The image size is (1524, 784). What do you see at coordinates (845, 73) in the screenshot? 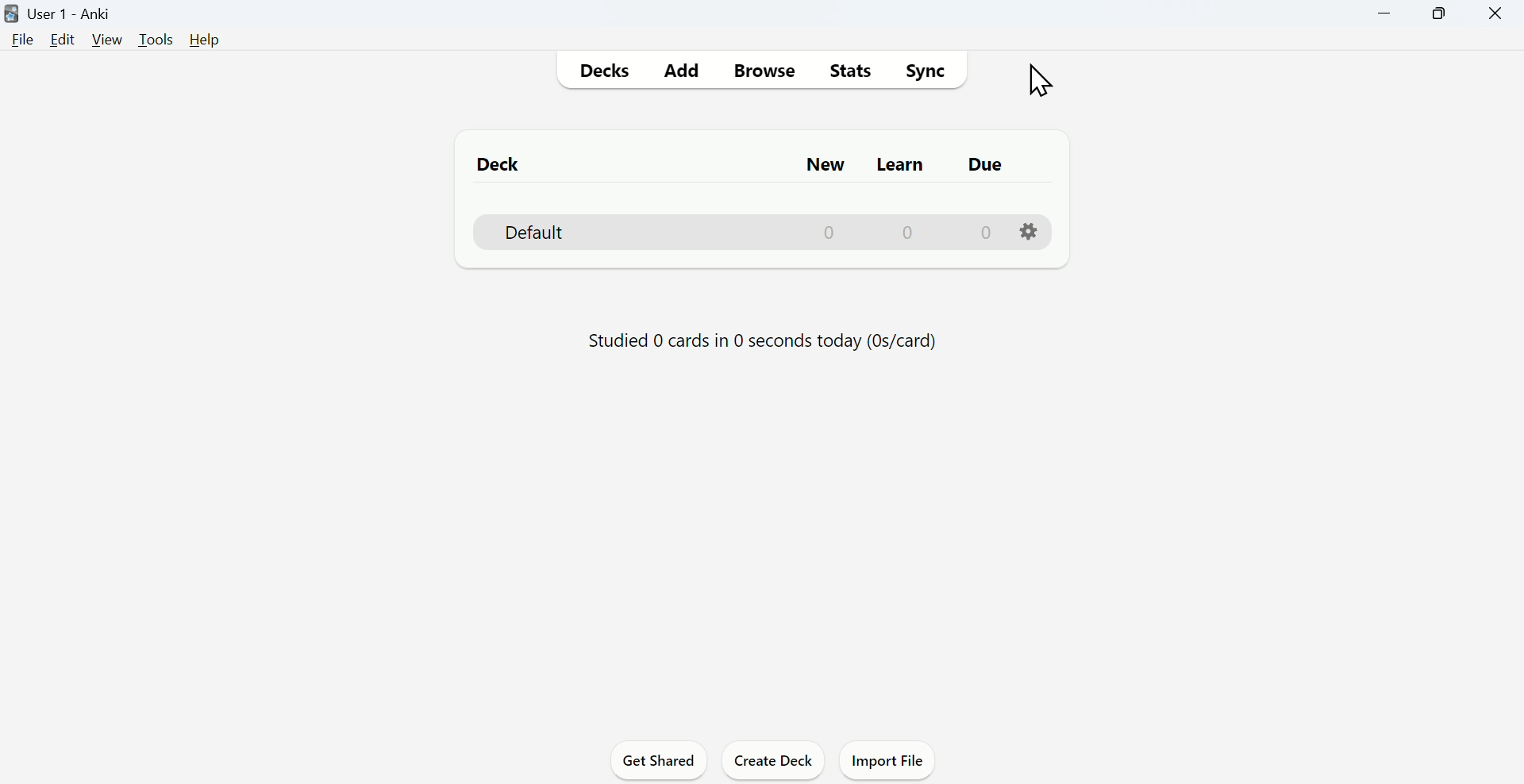
I see `Stats` at bounding box center [845, 73].